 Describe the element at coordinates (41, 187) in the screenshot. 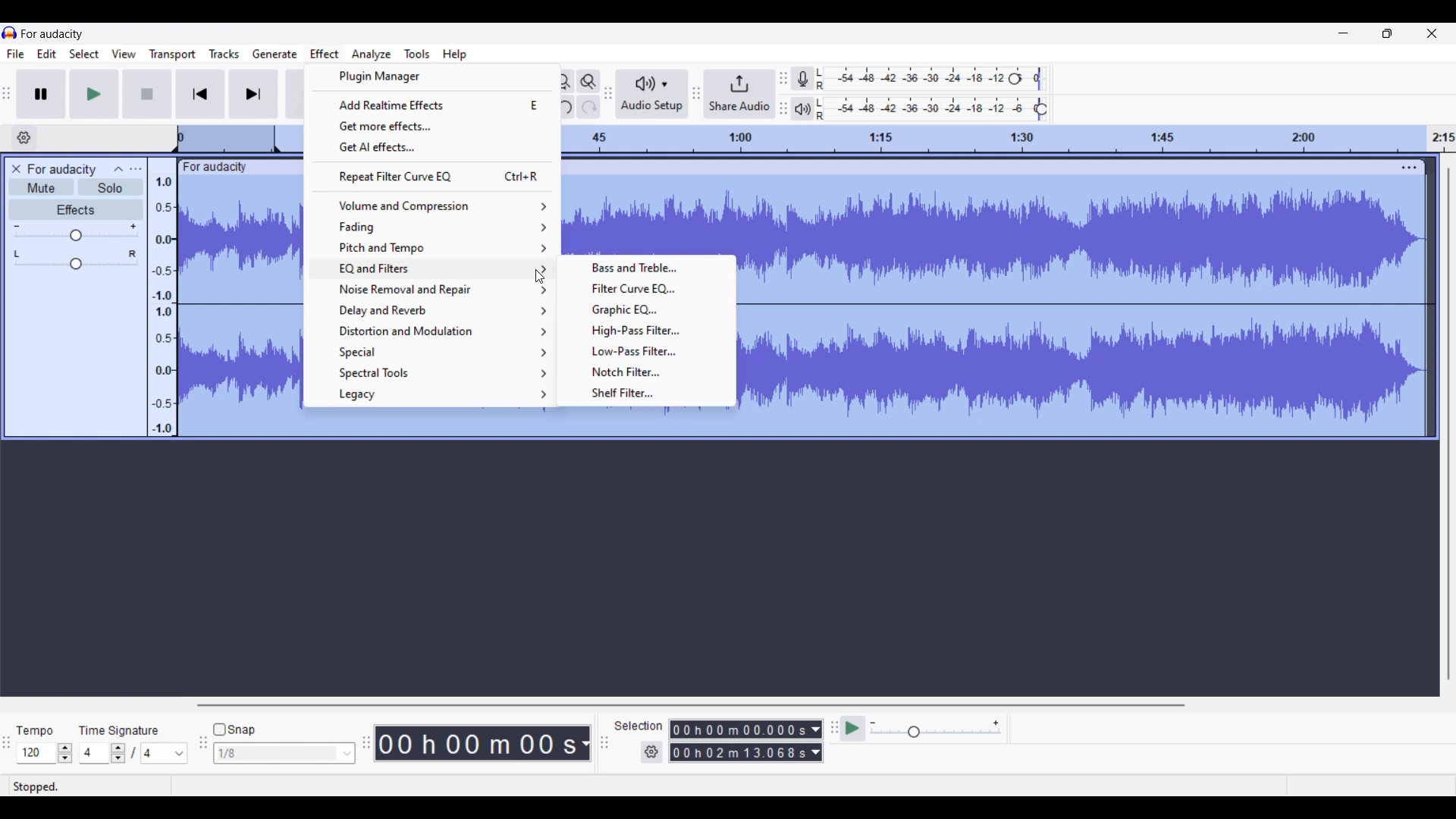

I see `Mute` at that location.